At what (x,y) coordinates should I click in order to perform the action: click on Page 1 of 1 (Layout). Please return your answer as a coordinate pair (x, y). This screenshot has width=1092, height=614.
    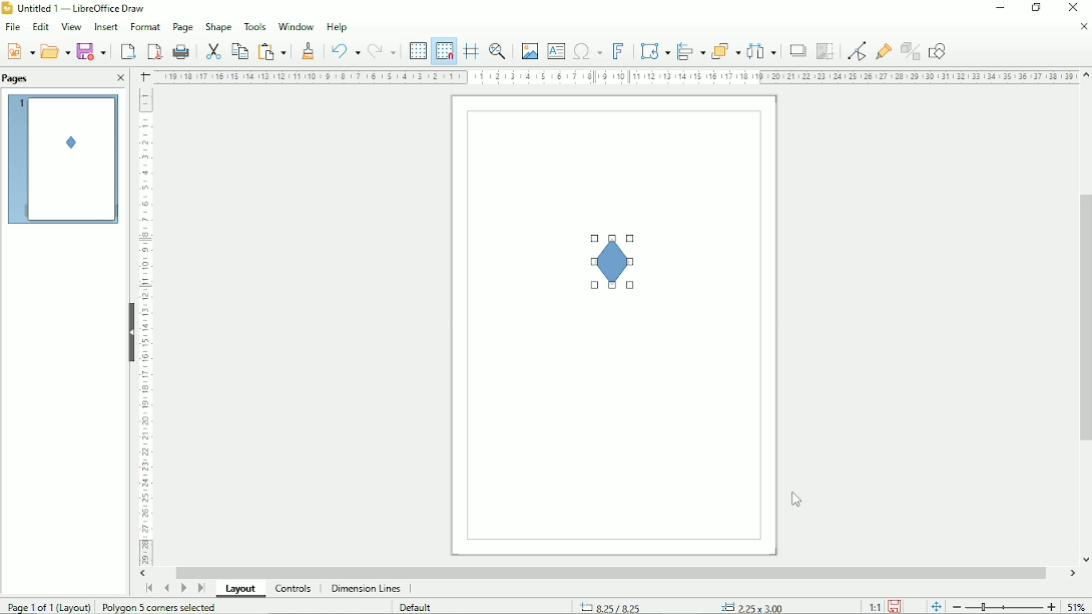
    Looking at the image, I should click on (48, 605).